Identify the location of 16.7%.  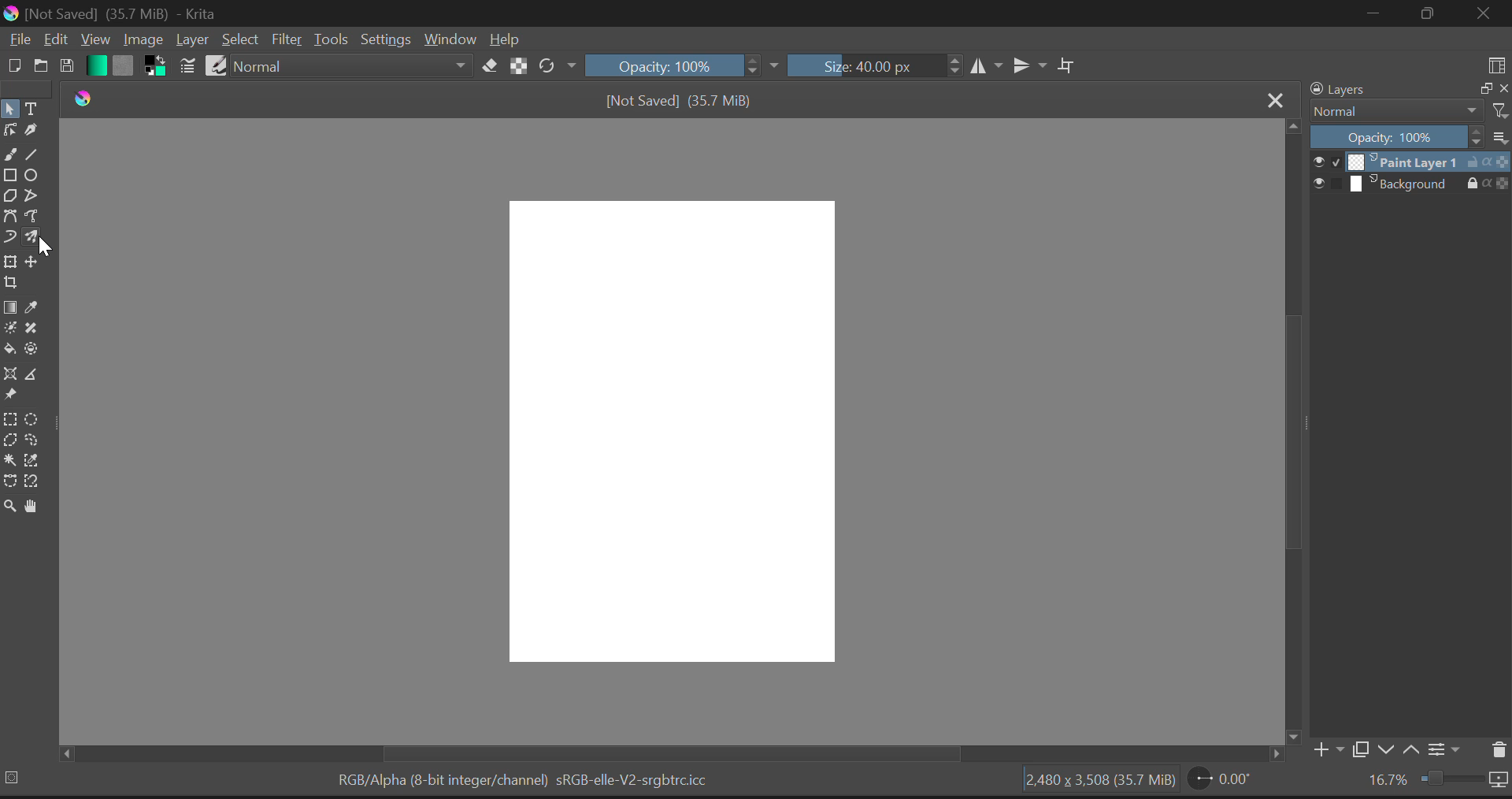
(1432, 783).